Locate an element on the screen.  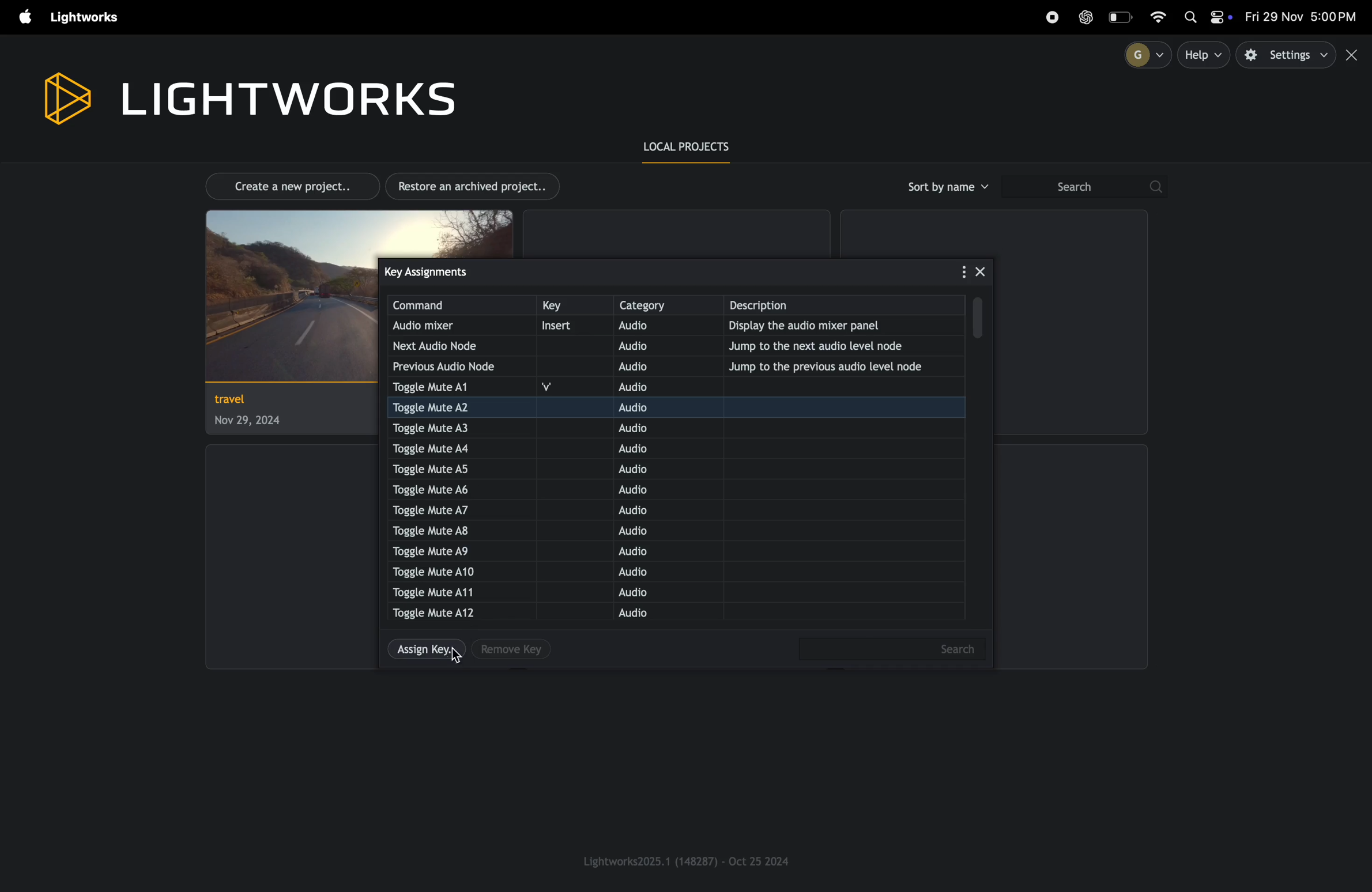
command is located at coordinates (461, 305).